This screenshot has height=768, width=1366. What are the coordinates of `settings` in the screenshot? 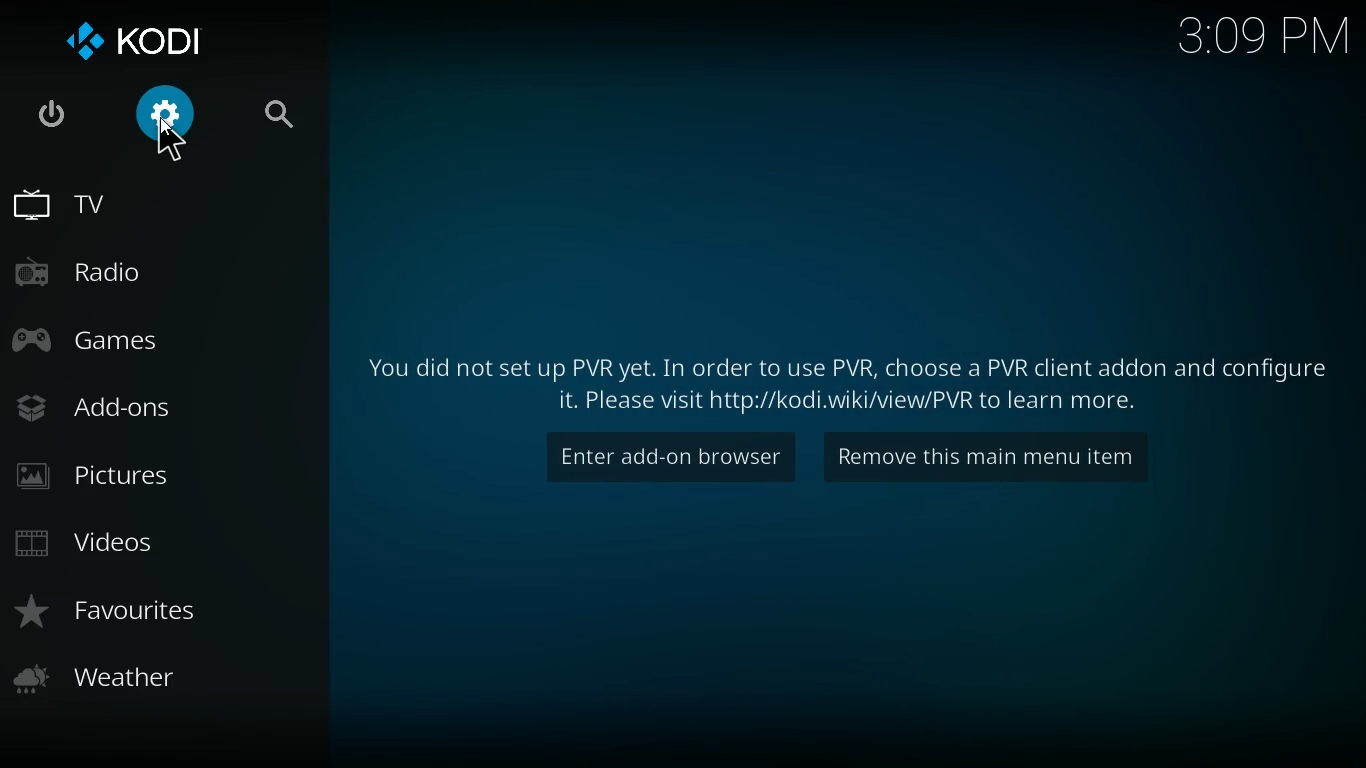 It's located at (167, 125).